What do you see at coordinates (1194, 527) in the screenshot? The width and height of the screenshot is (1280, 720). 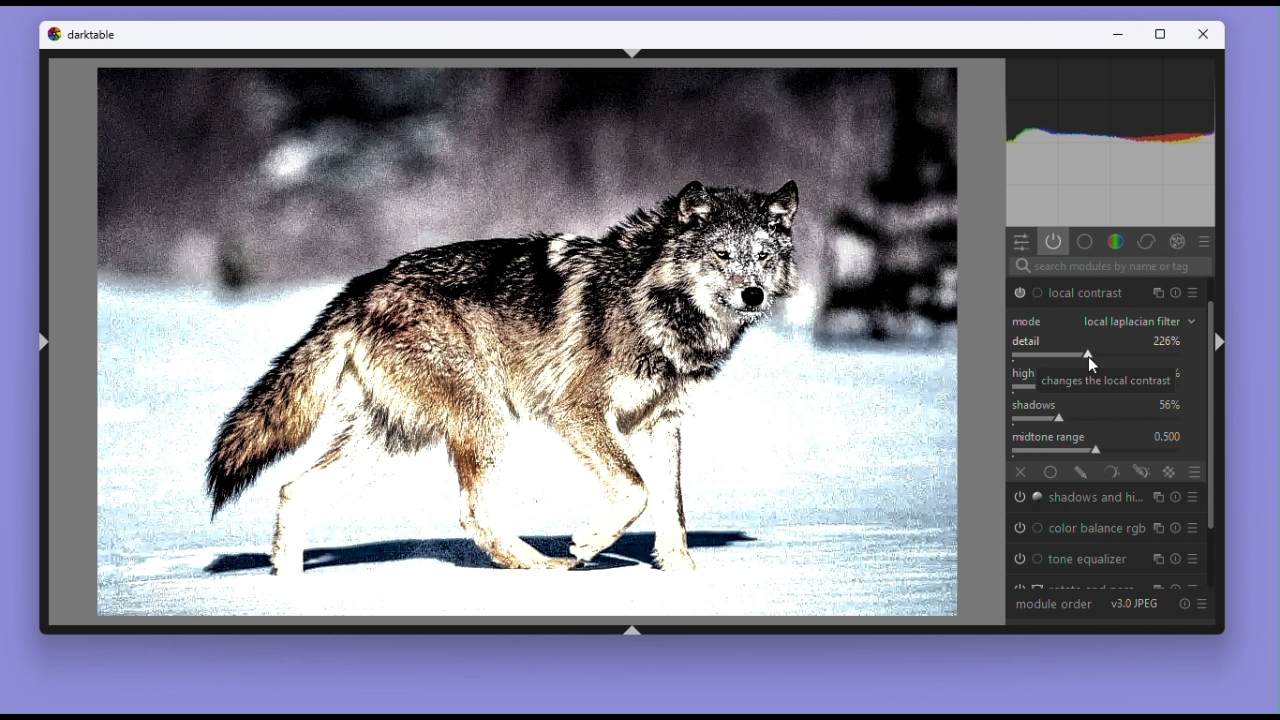 I see `presets` at bounding box center [1194, 527].